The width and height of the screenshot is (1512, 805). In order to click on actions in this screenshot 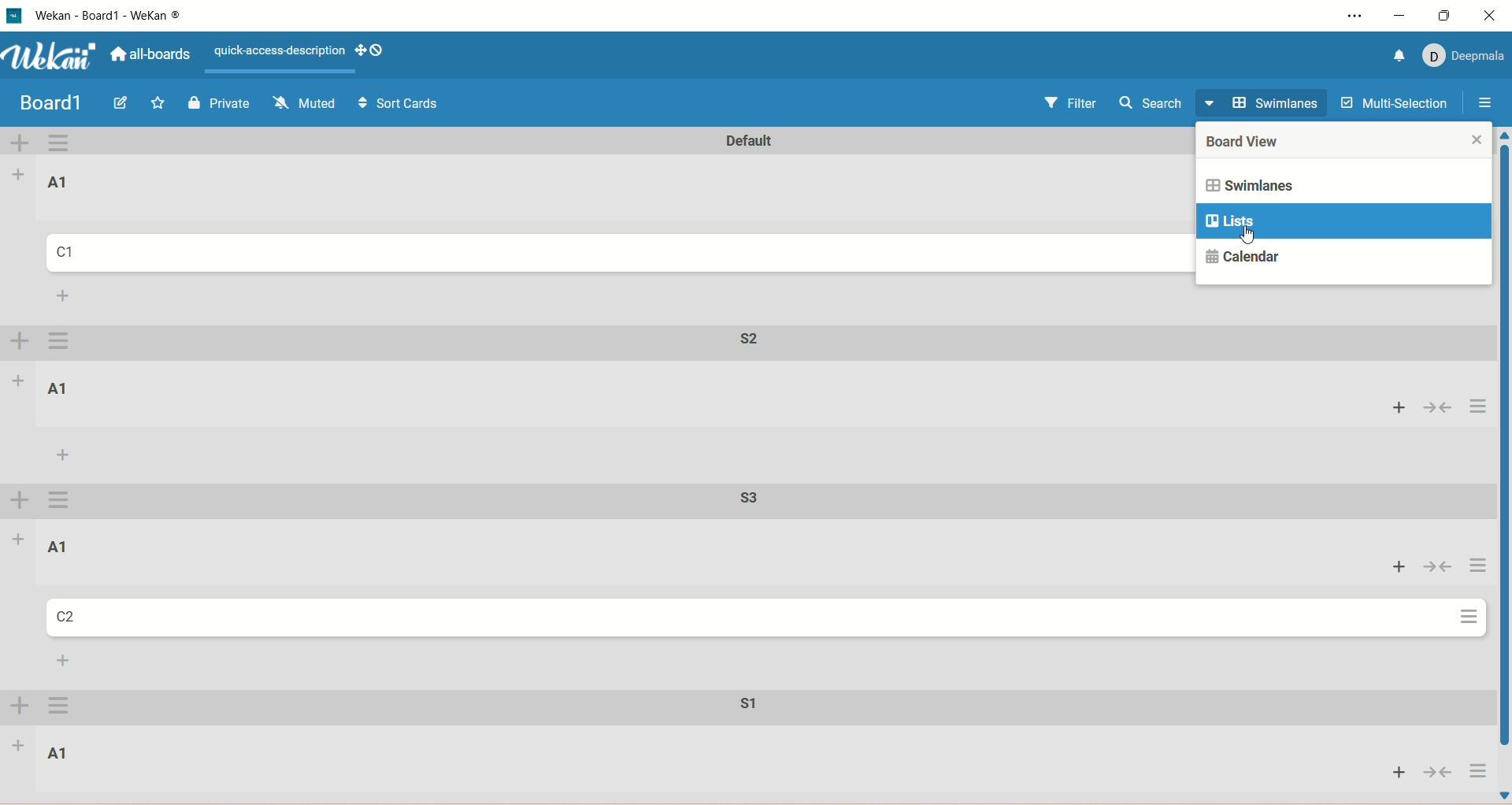, I will do `click(1477, 408)`.